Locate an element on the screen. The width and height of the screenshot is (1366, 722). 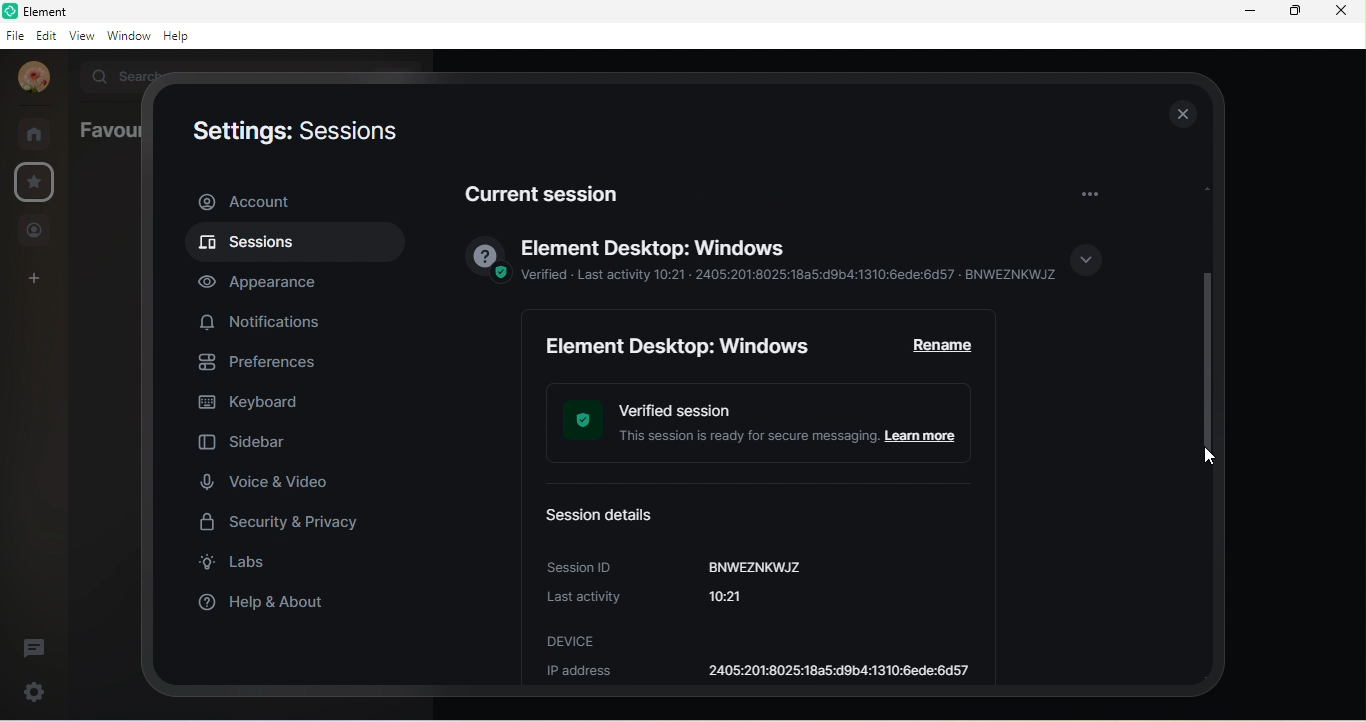
help is located at coordinates (181, 37).